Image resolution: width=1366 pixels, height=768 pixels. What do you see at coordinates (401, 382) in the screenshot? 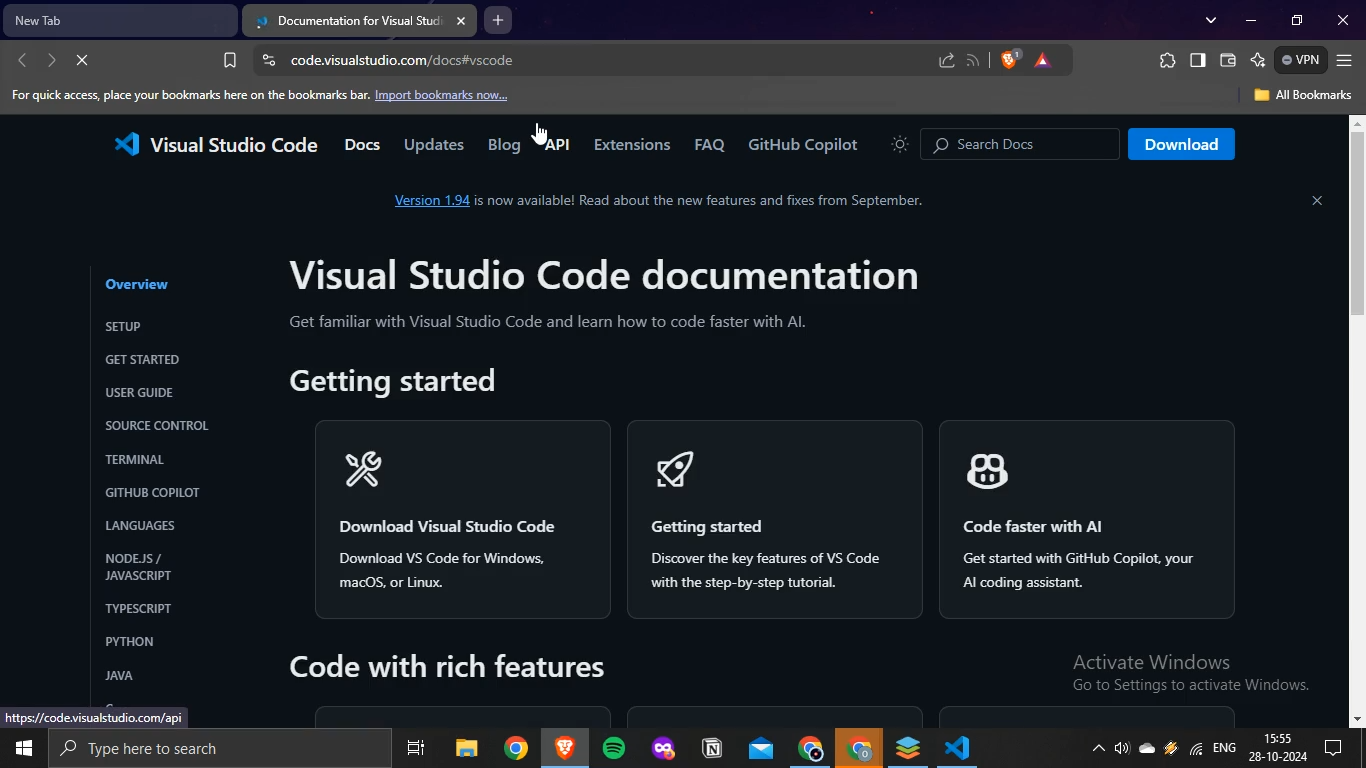
I see `Getting started` at bounding box center [401, 382].